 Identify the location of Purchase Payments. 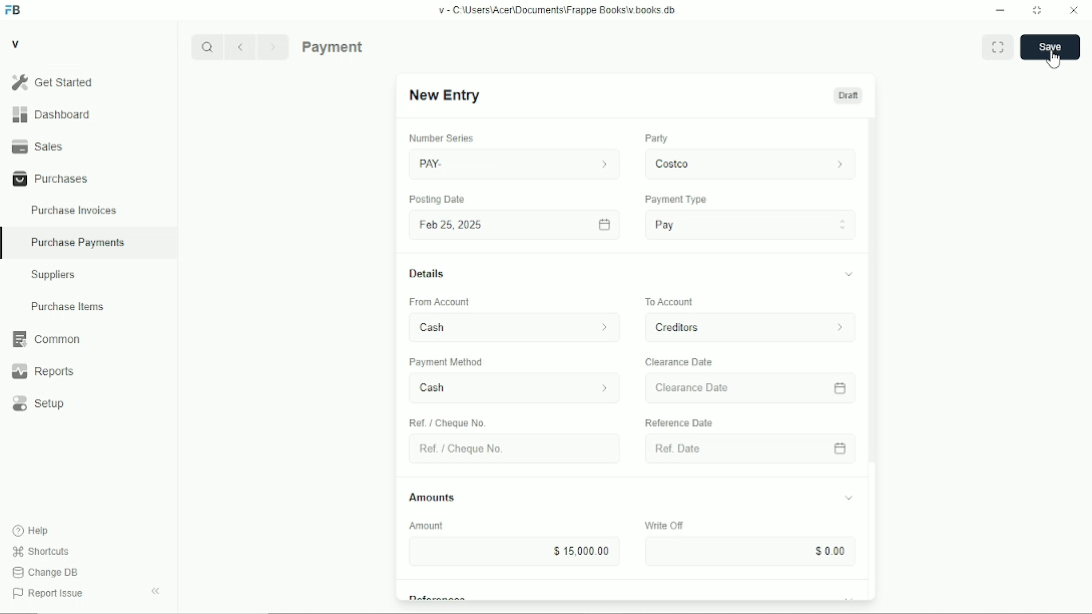
(372, 46).